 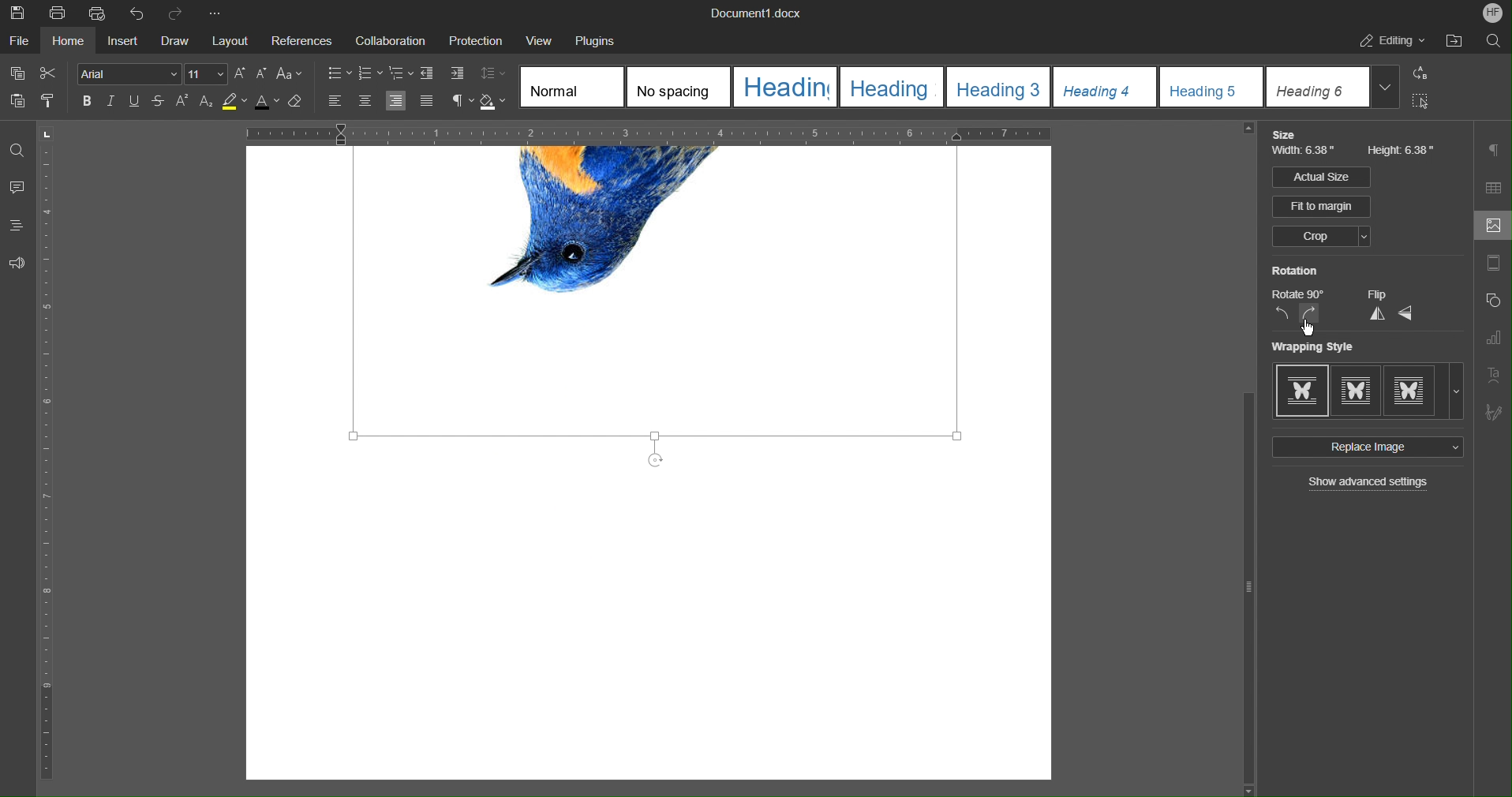 What do you see at coordinates (206, 73) in the screenshot?
I see `Size` at bounding box center [206, 73].